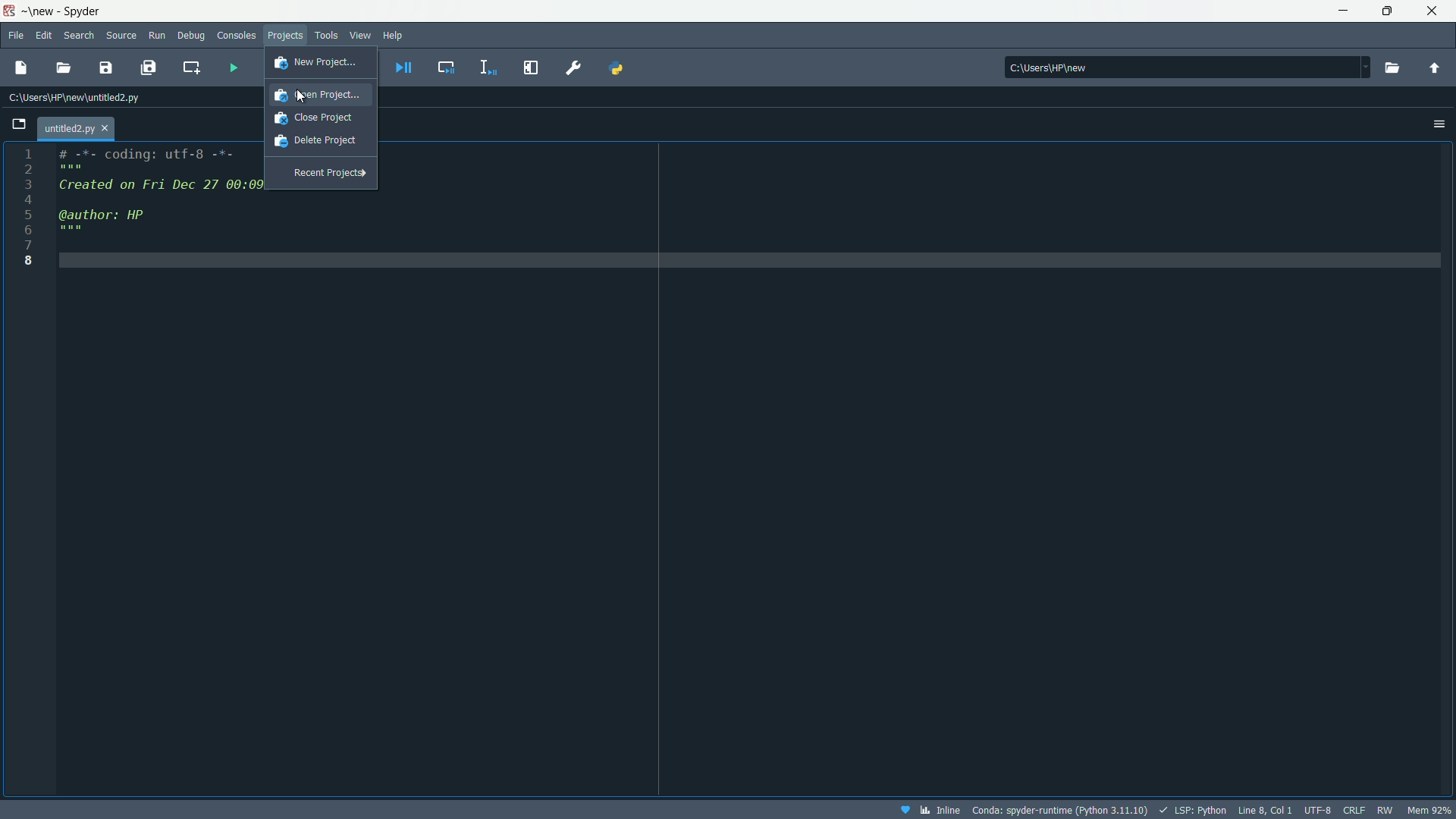 Image resolution: width=1456 pixels, height=819 pixels. Describe the element at coordinates (1190, 808) in the screenshot. I see `LSP:Python` at that location.